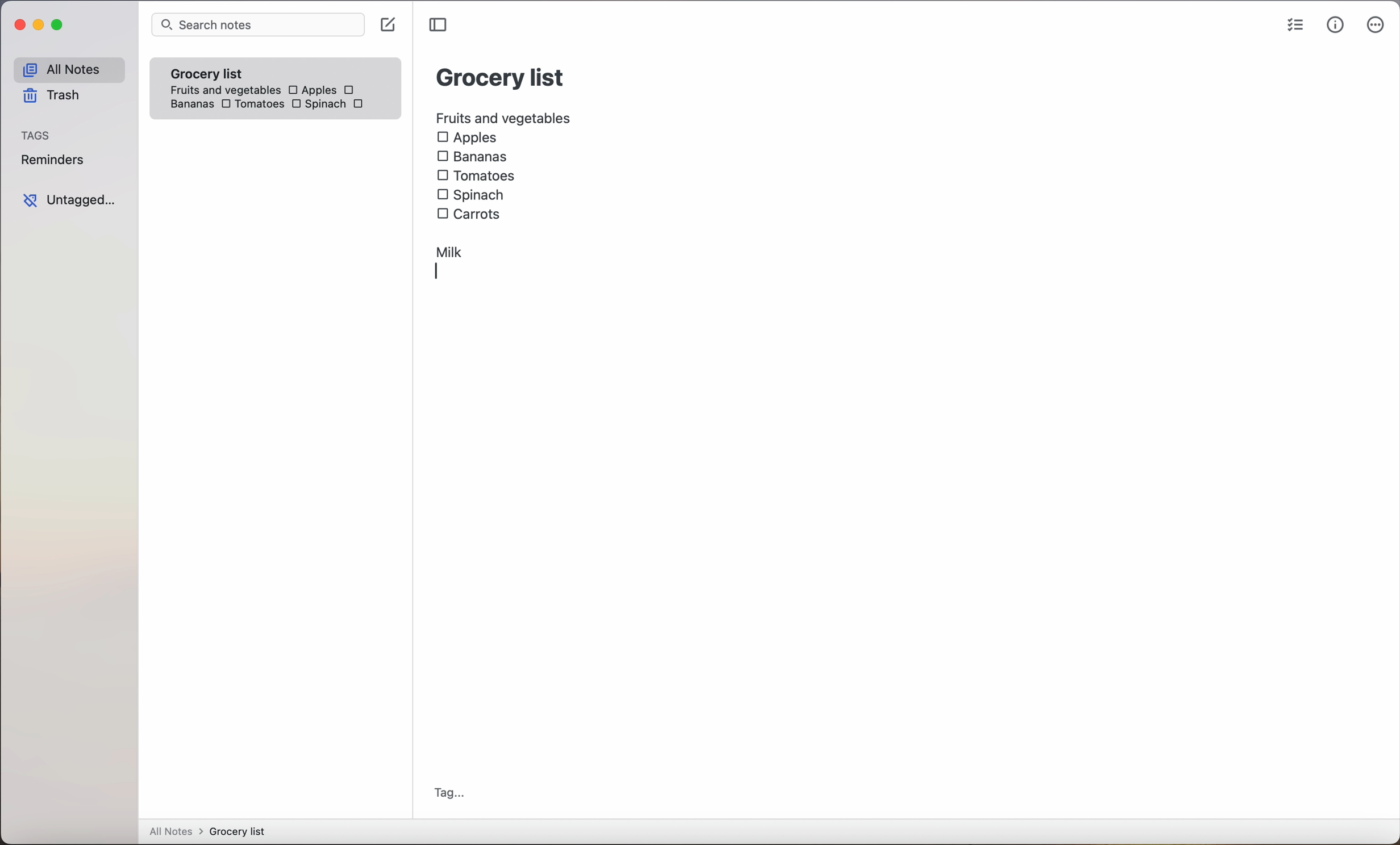  I want to click on grocery list note fruits and vegetables, so click(221, 77).